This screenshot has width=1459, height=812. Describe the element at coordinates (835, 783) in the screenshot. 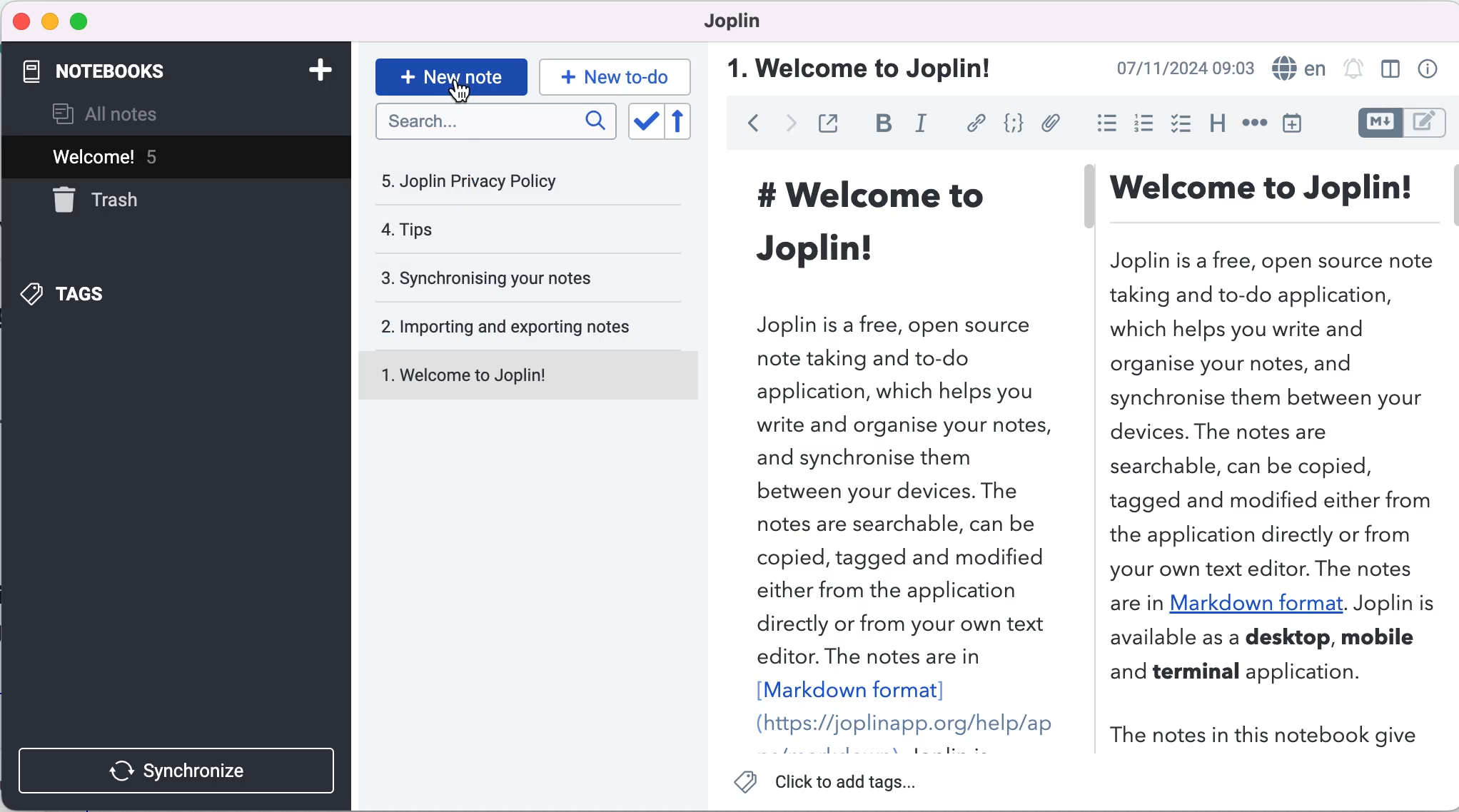

I see `click to add tags` at that location.